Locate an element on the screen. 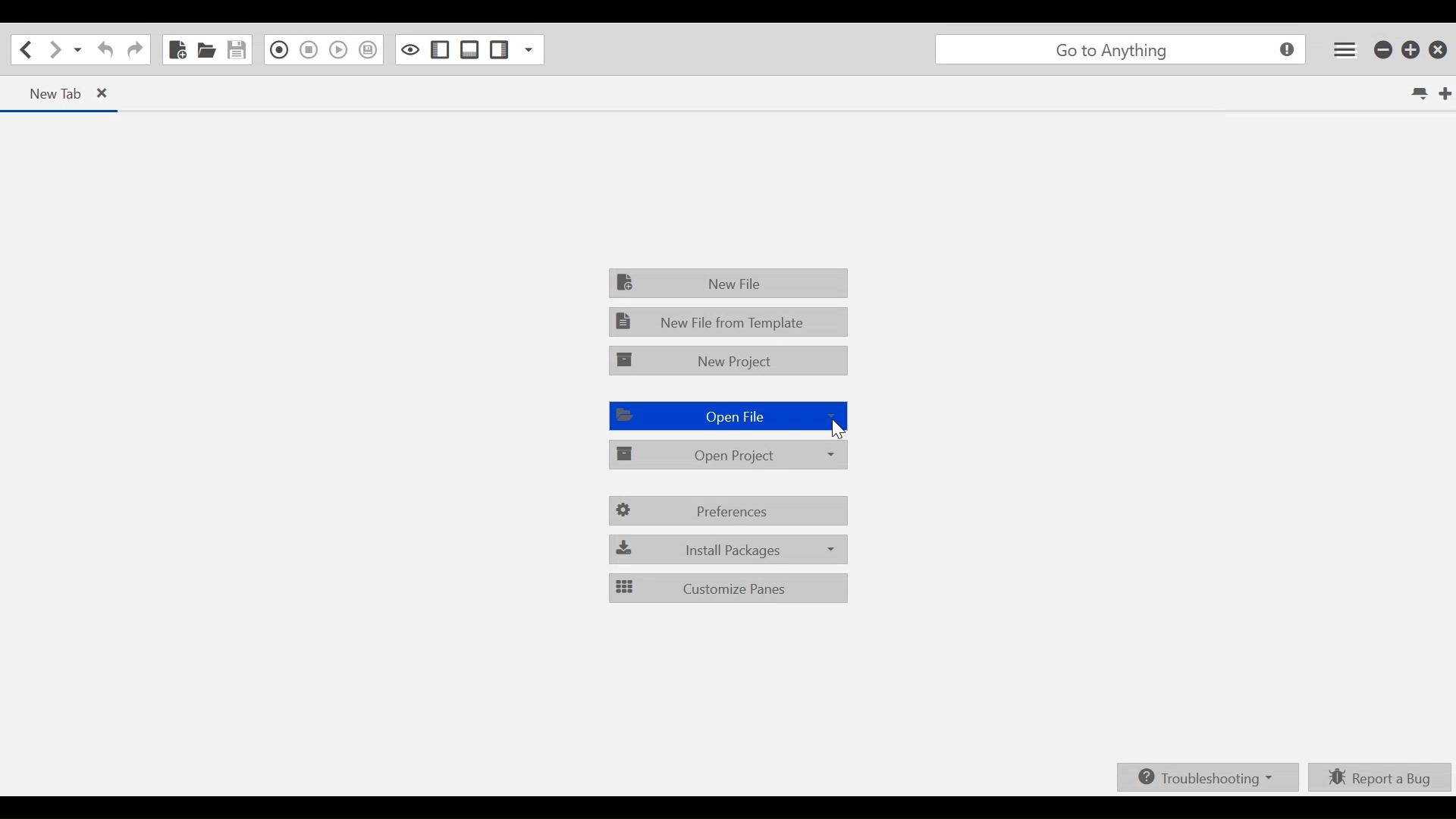 The height and width of the screenshot is (819, 1456). Report a bug is located at coordinates (1380, 777).